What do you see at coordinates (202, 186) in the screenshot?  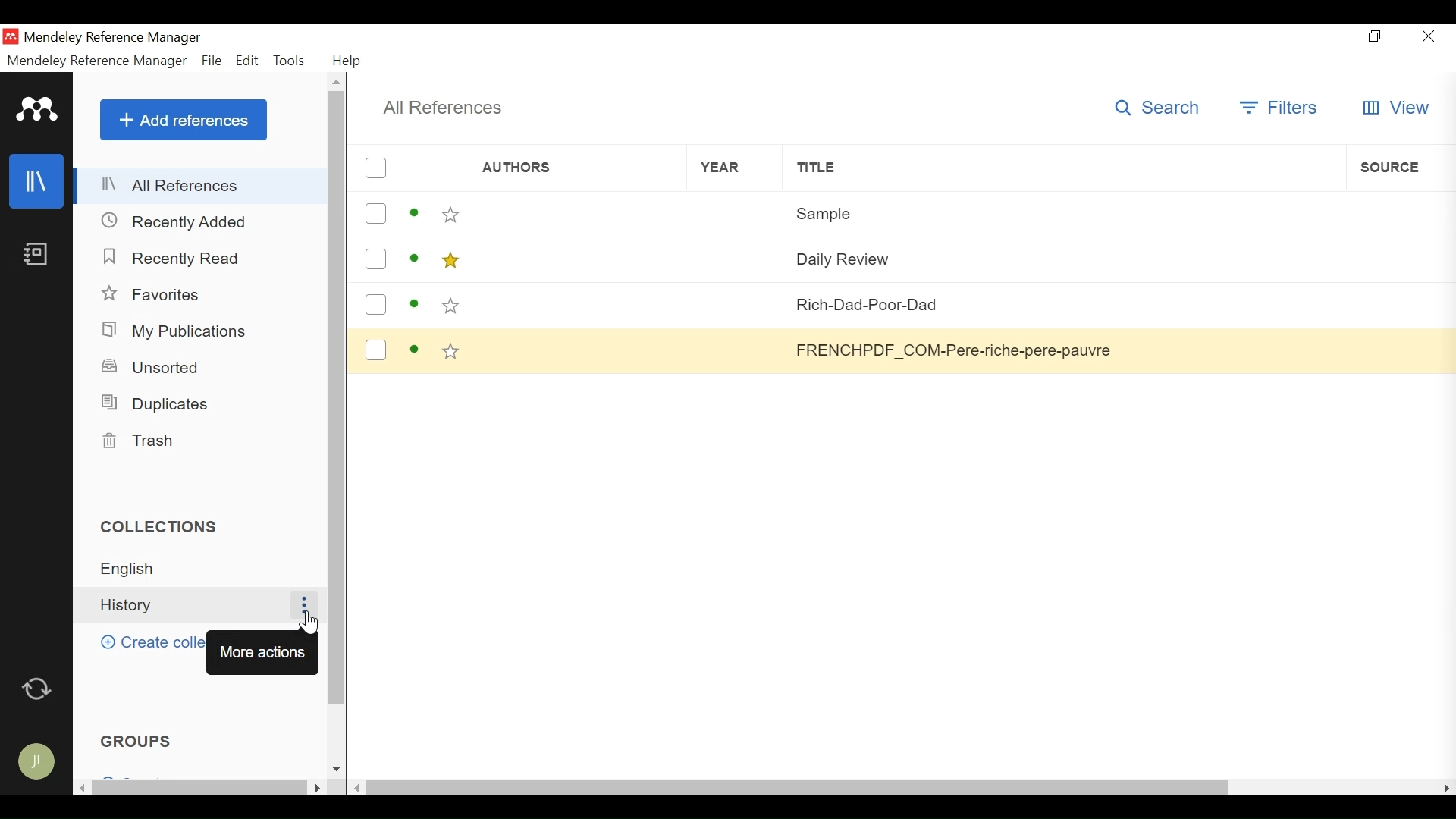 I see `Alll References` at bounding box center [202, 186].